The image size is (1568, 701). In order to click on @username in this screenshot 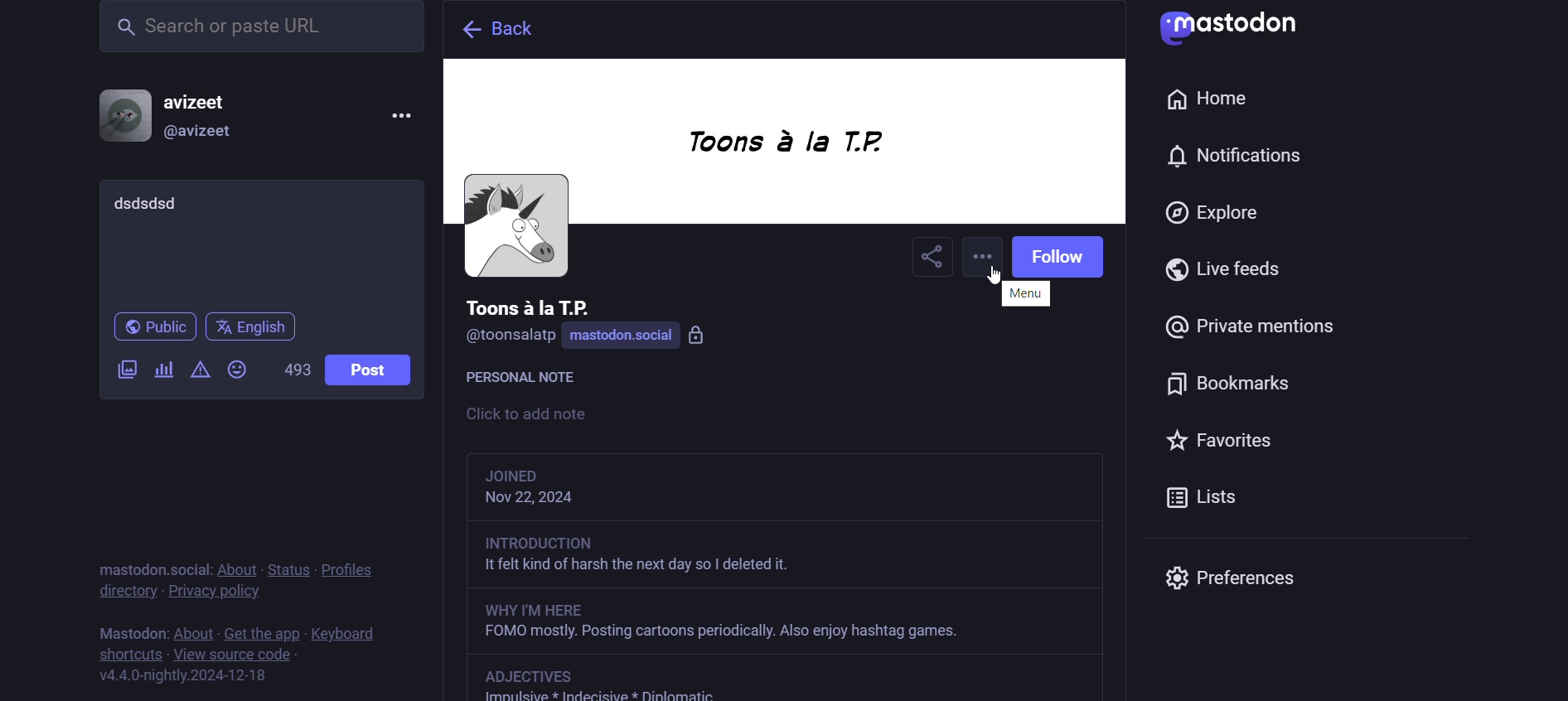, I will do `click(207, 135)`.